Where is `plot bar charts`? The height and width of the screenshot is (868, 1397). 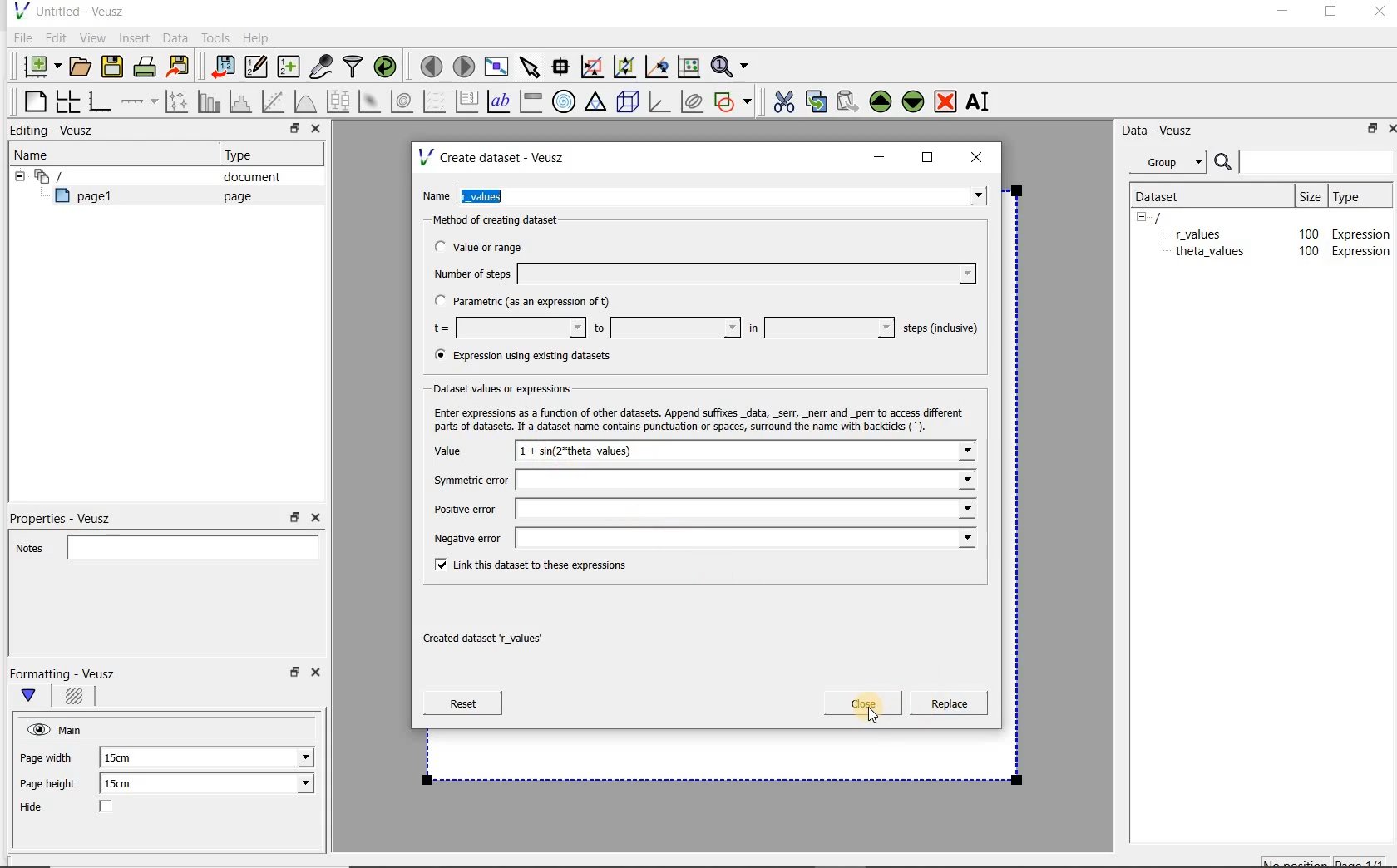 plot bar charts is located at coordinates (210, 101).